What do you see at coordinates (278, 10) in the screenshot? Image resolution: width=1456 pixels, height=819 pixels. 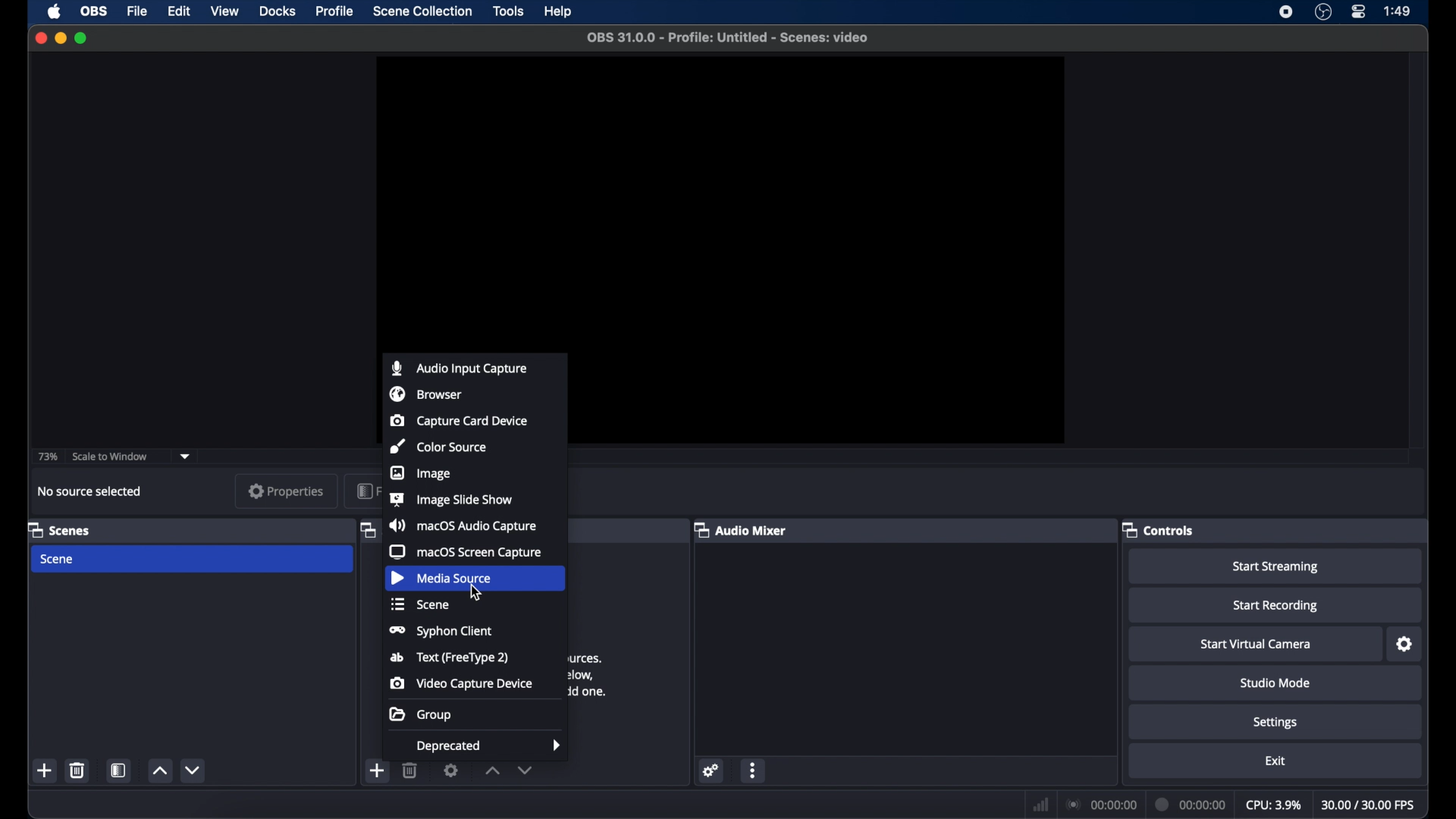 I see `docks` at bounding box center [278, 10].